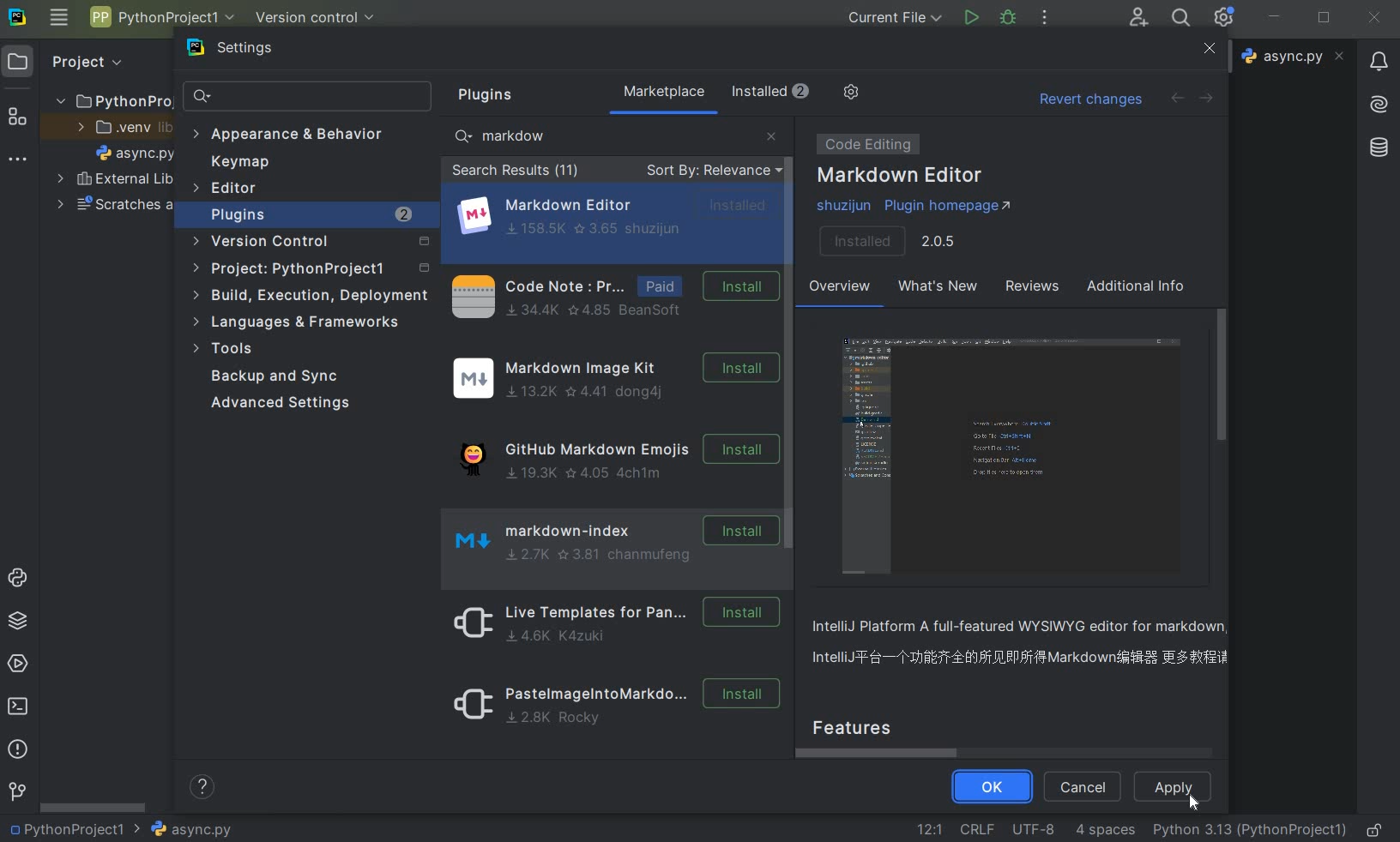 The width and height of the screenshot is (1400, 842). Describe the element at coordinates (136, 153) in the screenshot. I see `file name` at that location.